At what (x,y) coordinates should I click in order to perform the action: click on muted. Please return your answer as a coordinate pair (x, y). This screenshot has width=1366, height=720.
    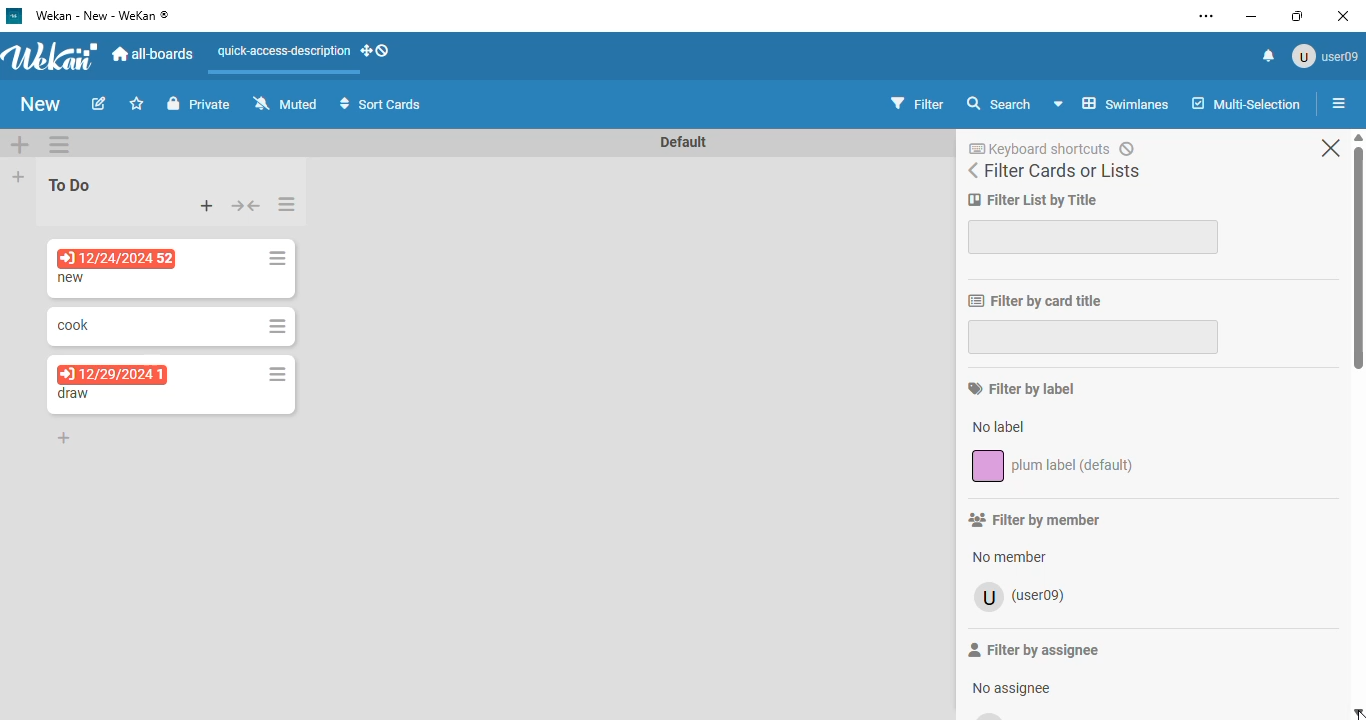
    Looking at the image, I should click on (285, 103).